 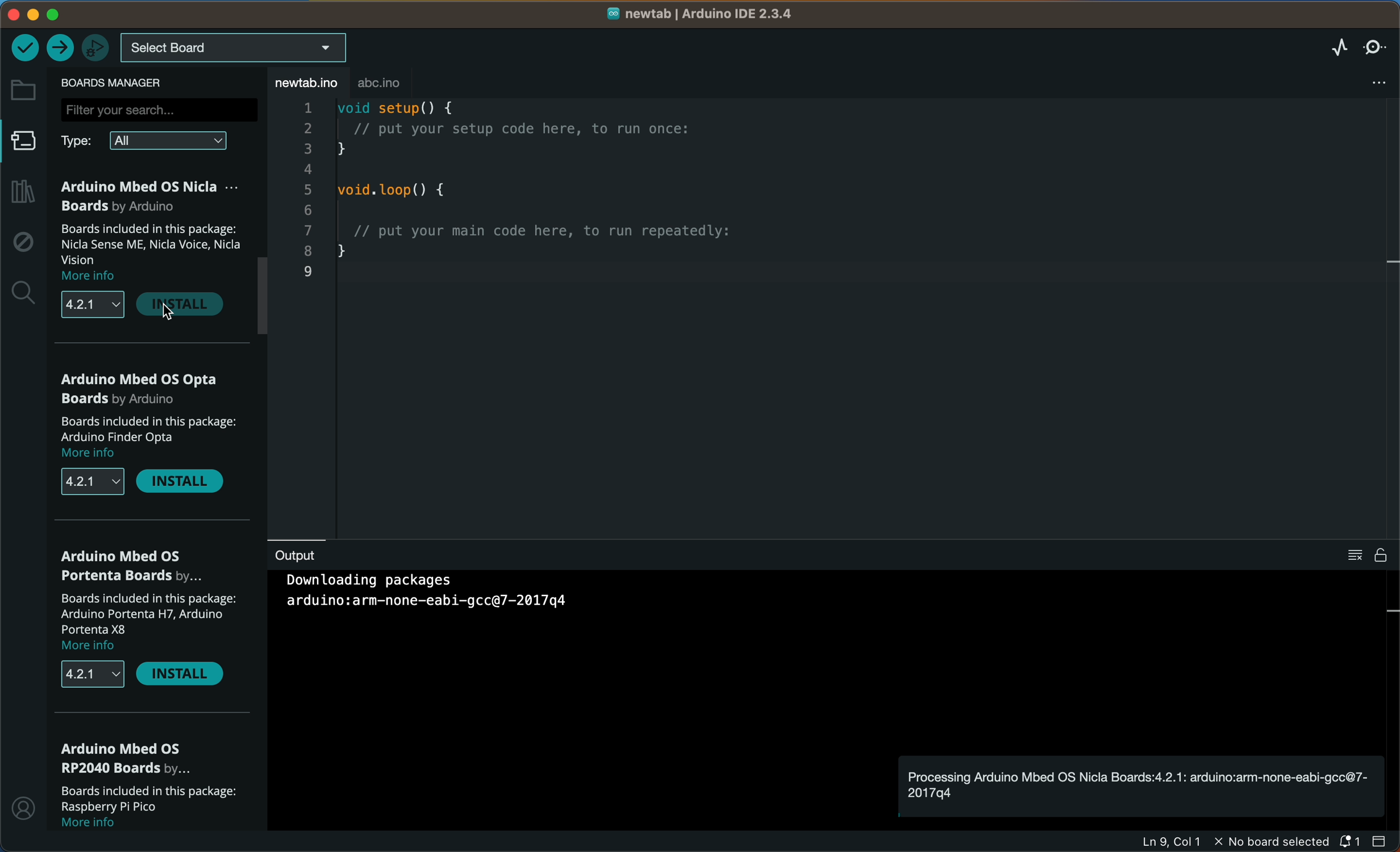 What do you see at coordinates (147, 799) in the screenshot?
I see `description` at bounding box center [147, 799].